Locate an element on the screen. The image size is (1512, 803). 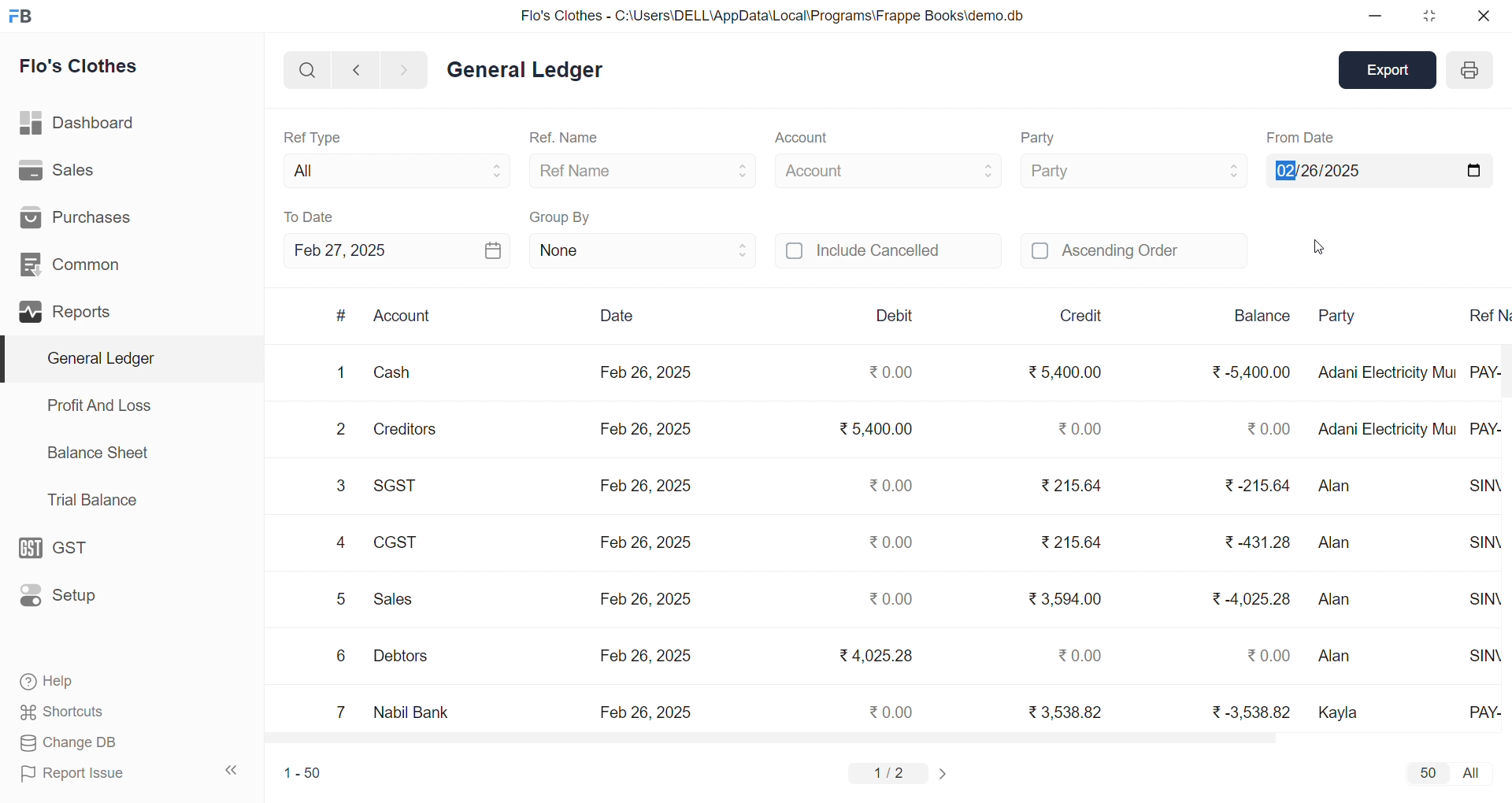
Ref. Name is located at coordinates (565, 139).